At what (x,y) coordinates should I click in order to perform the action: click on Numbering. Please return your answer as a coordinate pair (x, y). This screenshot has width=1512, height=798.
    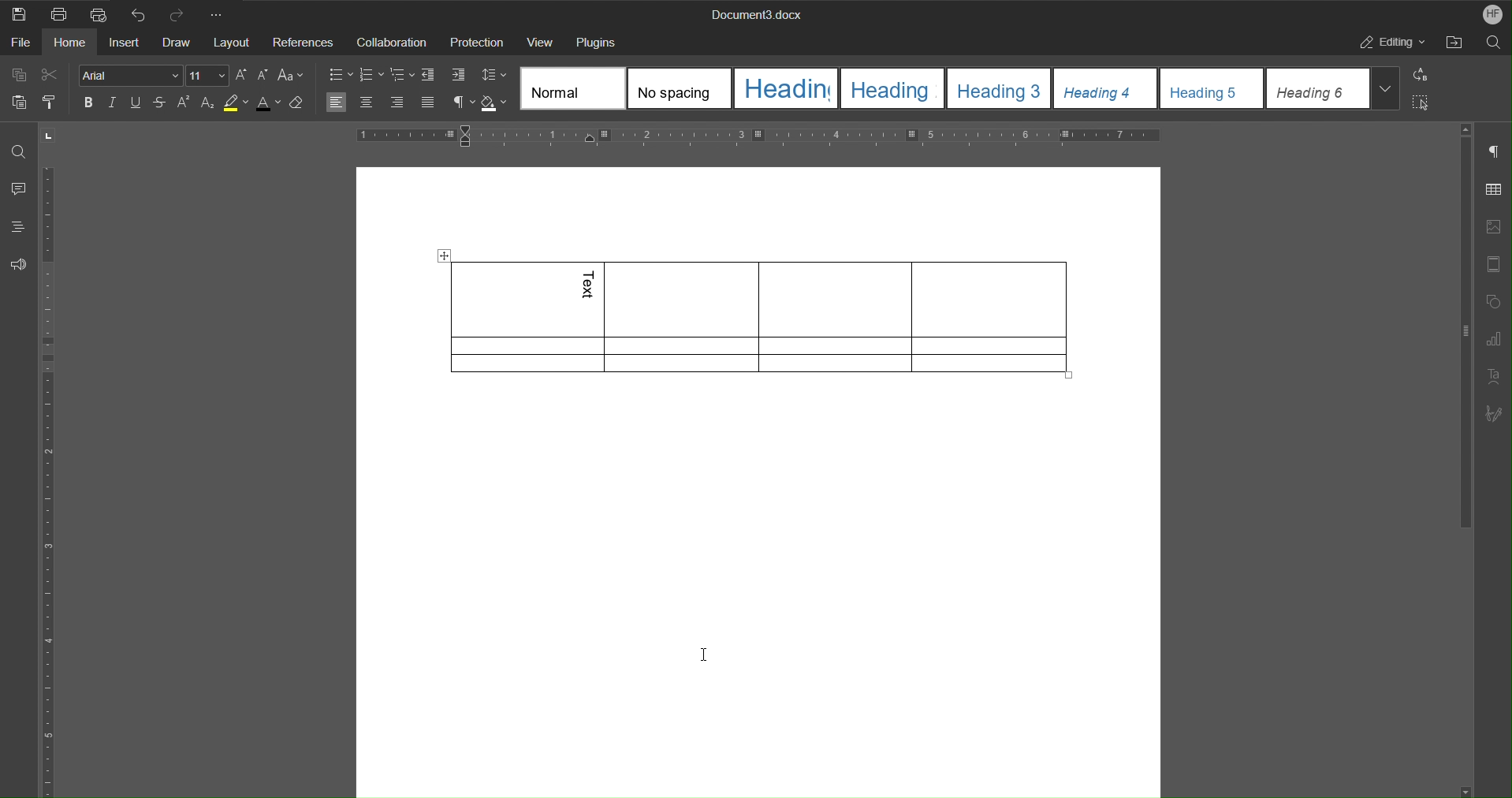
    Looking at the image, I should click on (371, 76).